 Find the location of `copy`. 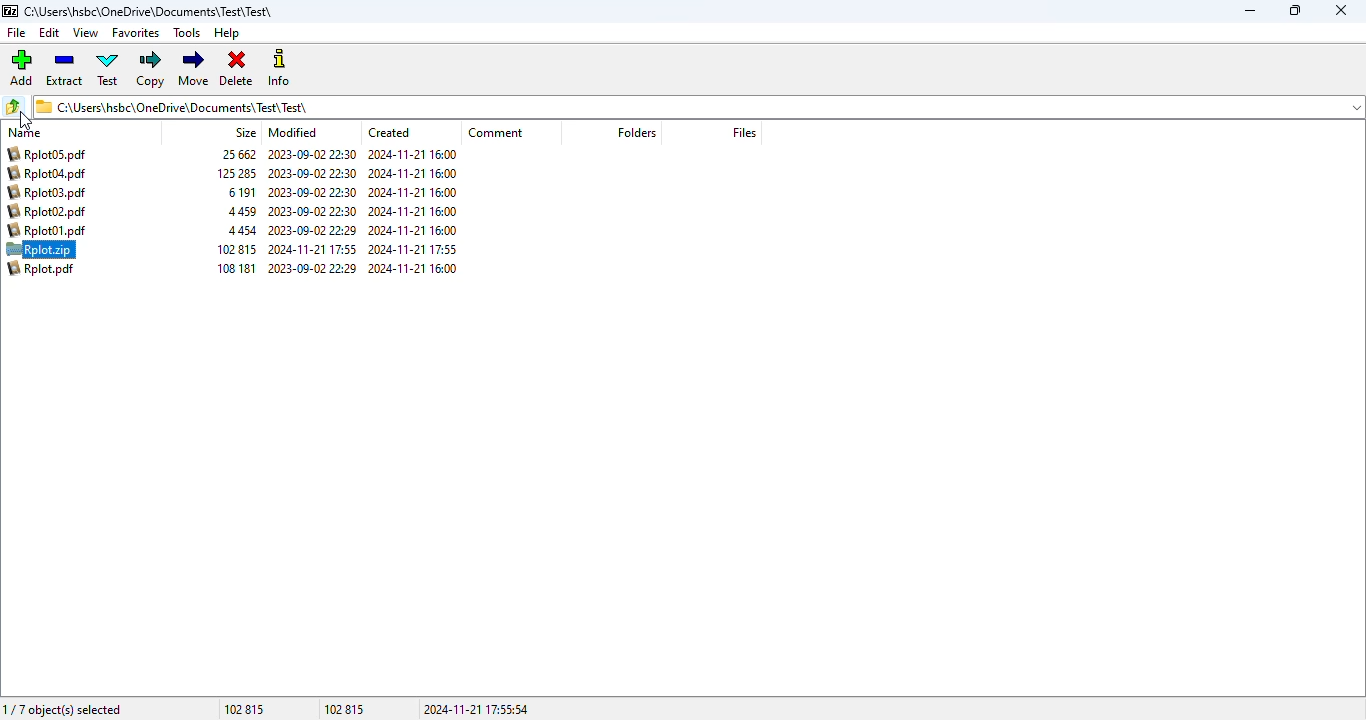

copy is located at coordinates (152, 69).